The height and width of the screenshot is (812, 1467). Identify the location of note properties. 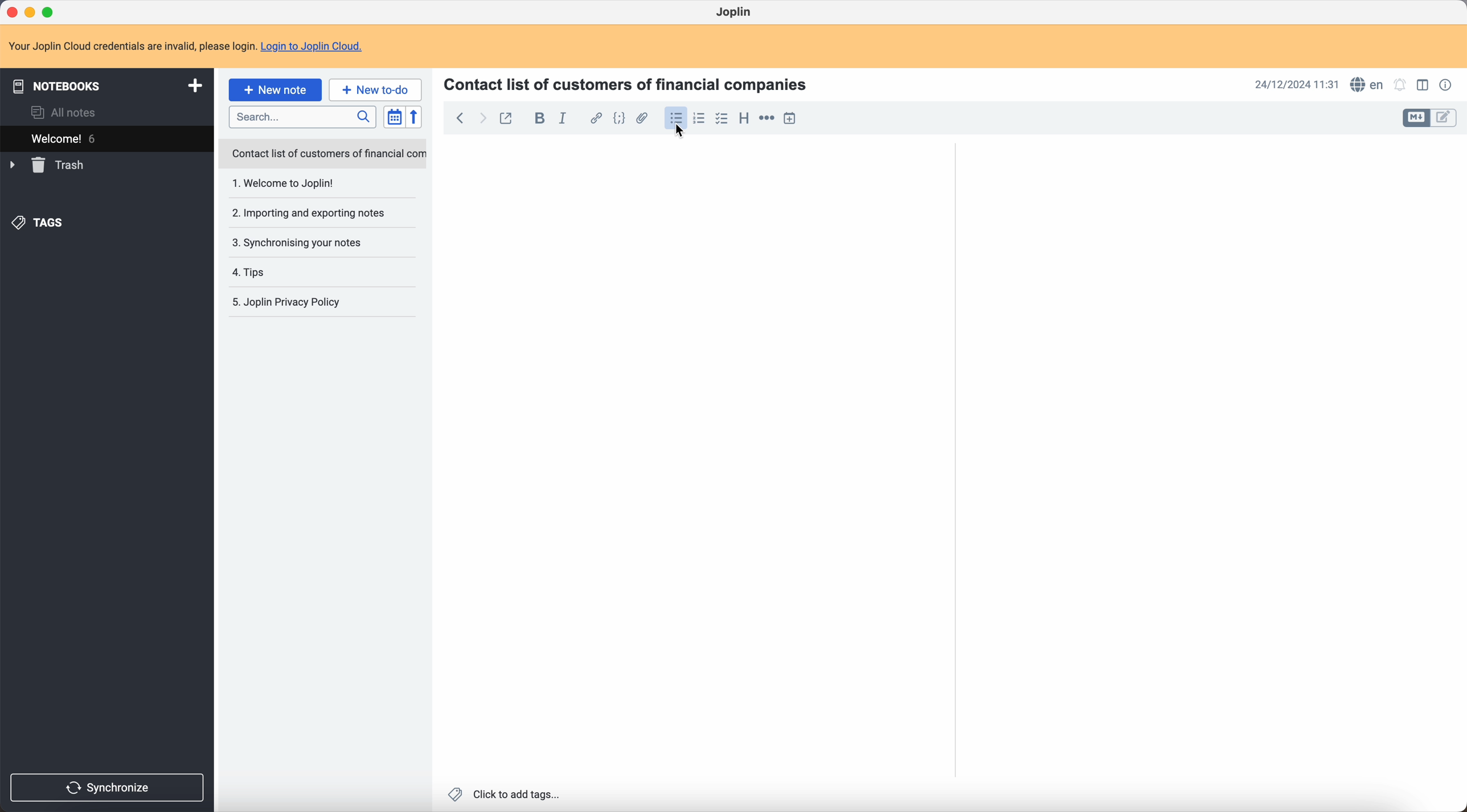
(1448, 85).